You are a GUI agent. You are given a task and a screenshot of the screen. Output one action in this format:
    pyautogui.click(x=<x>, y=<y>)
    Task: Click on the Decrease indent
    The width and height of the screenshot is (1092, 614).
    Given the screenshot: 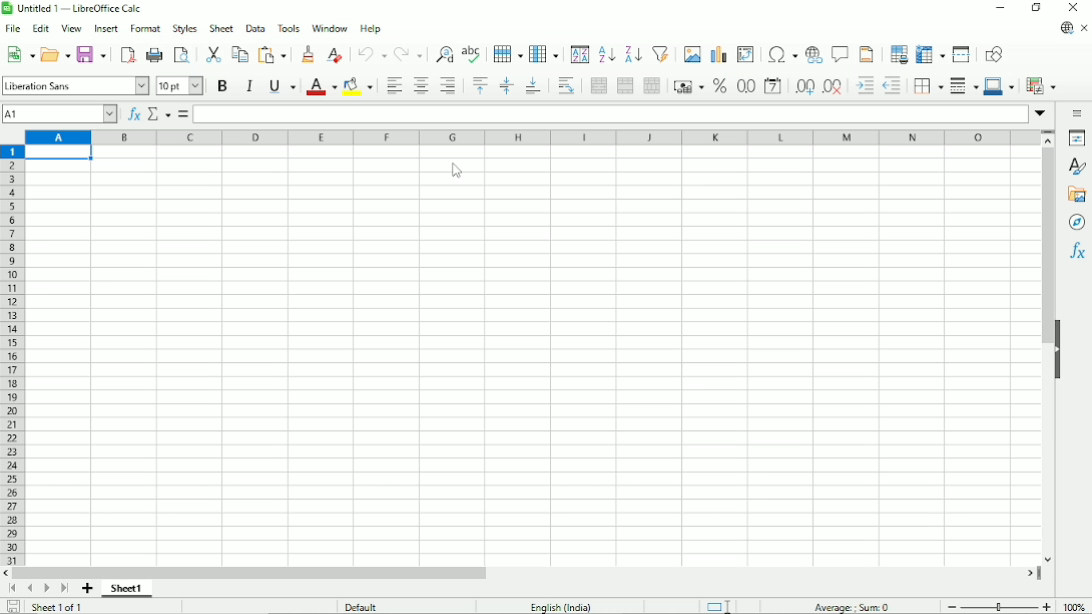 What is the action you would take?
    pyautogui.click(x=892, y=86)
    